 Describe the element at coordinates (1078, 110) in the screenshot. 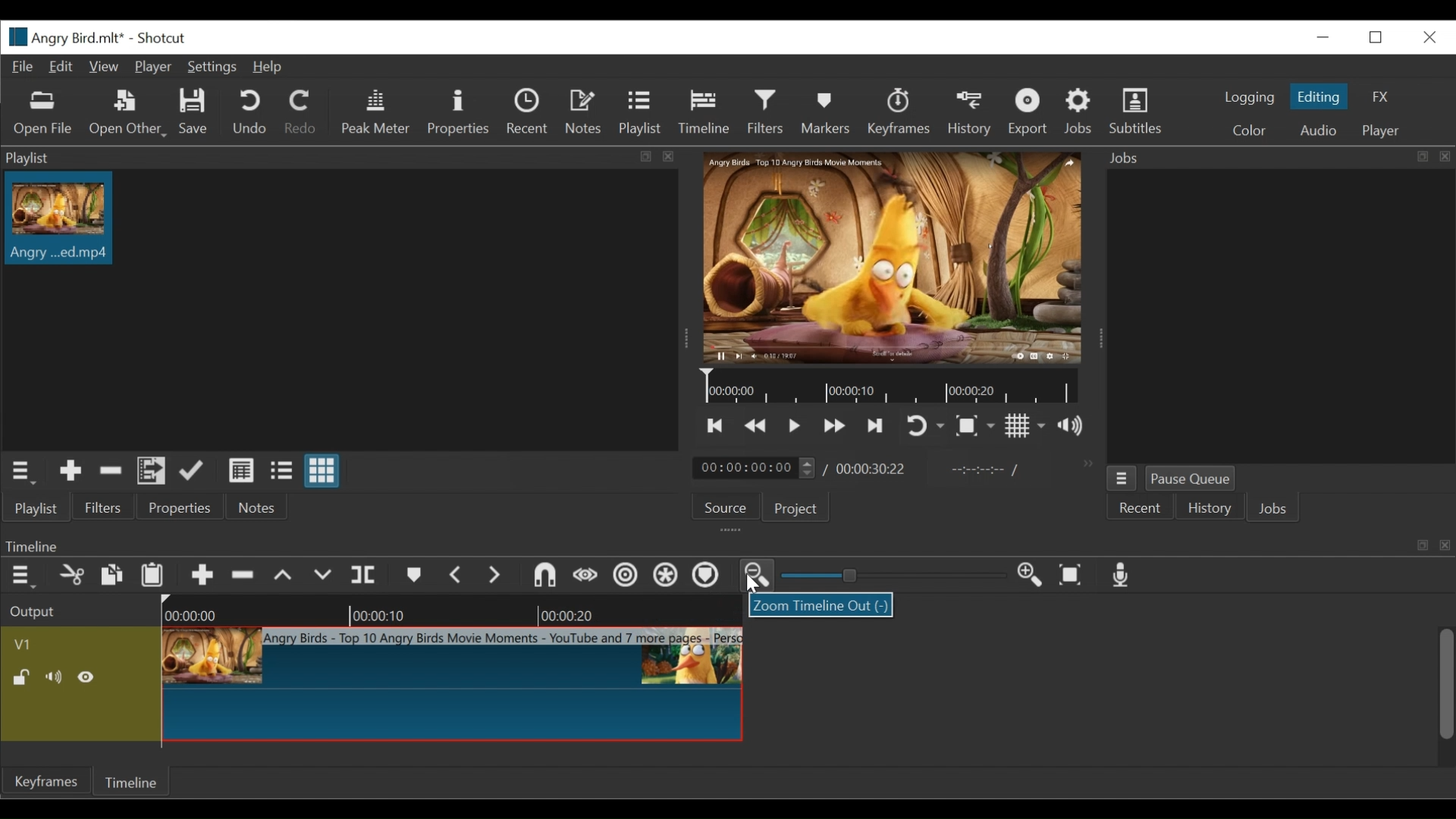

I see `Jobs` at that location.